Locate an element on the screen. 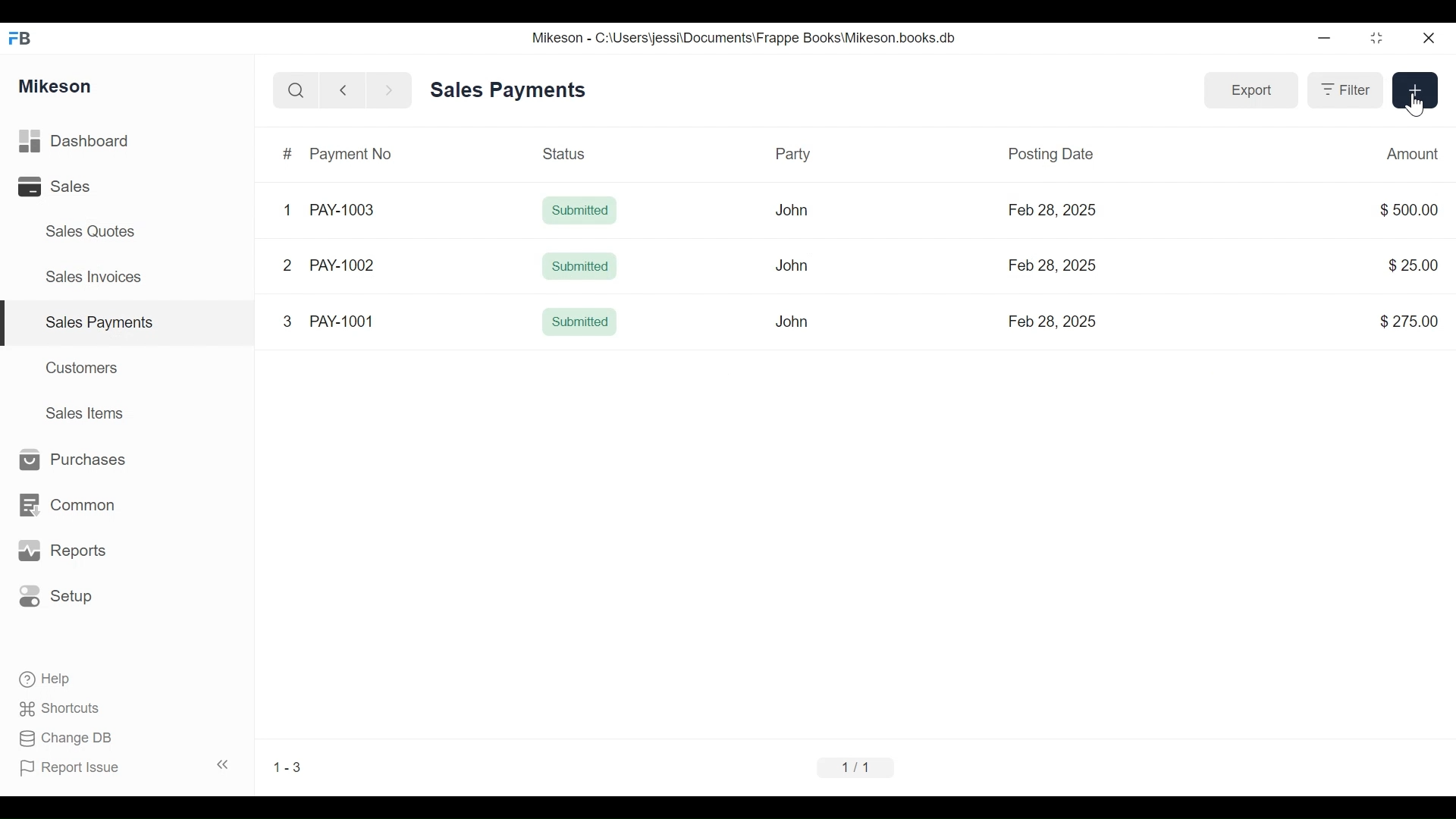 The width and height of the screenshot is (1456, 819). $275.00 is located at coordinates (1410, 320).